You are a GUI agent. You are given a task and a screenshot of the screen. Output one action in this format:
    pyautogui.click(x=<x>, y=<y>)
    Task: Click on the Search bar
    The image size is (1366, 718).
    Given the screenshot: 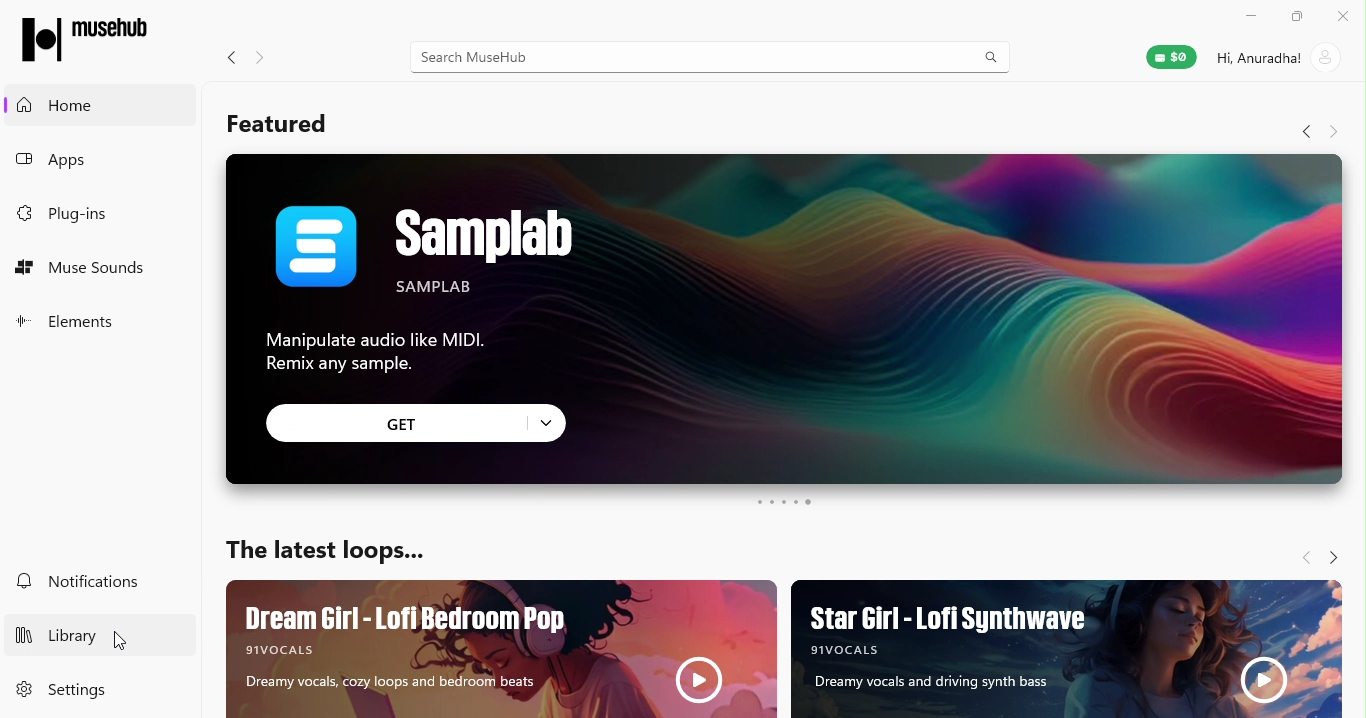 What is the action you would take?
    pyautogui.click(x=710, y=55)
    